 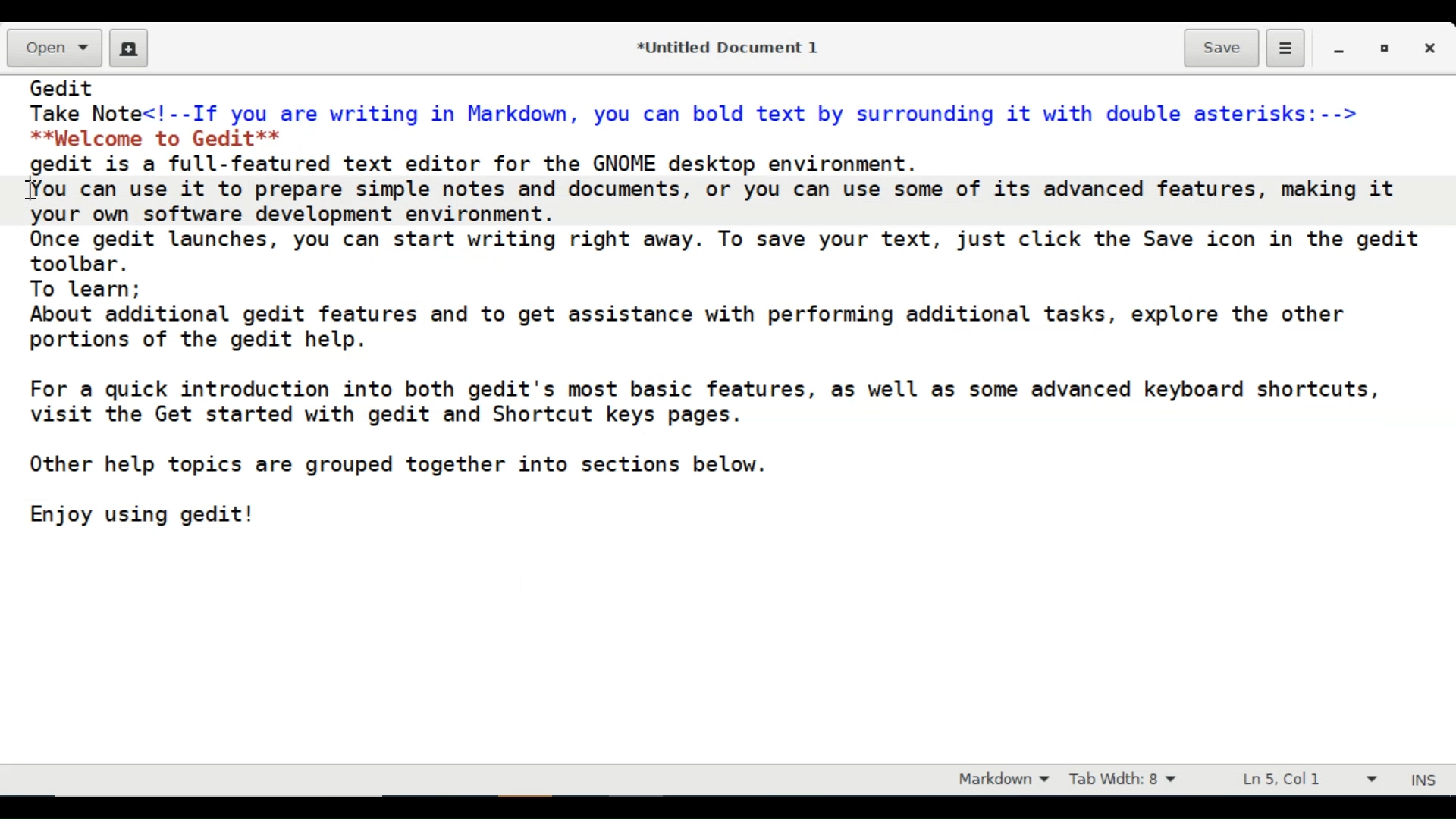 I want to click on Insert Mode, so click(x=1426, y=777).